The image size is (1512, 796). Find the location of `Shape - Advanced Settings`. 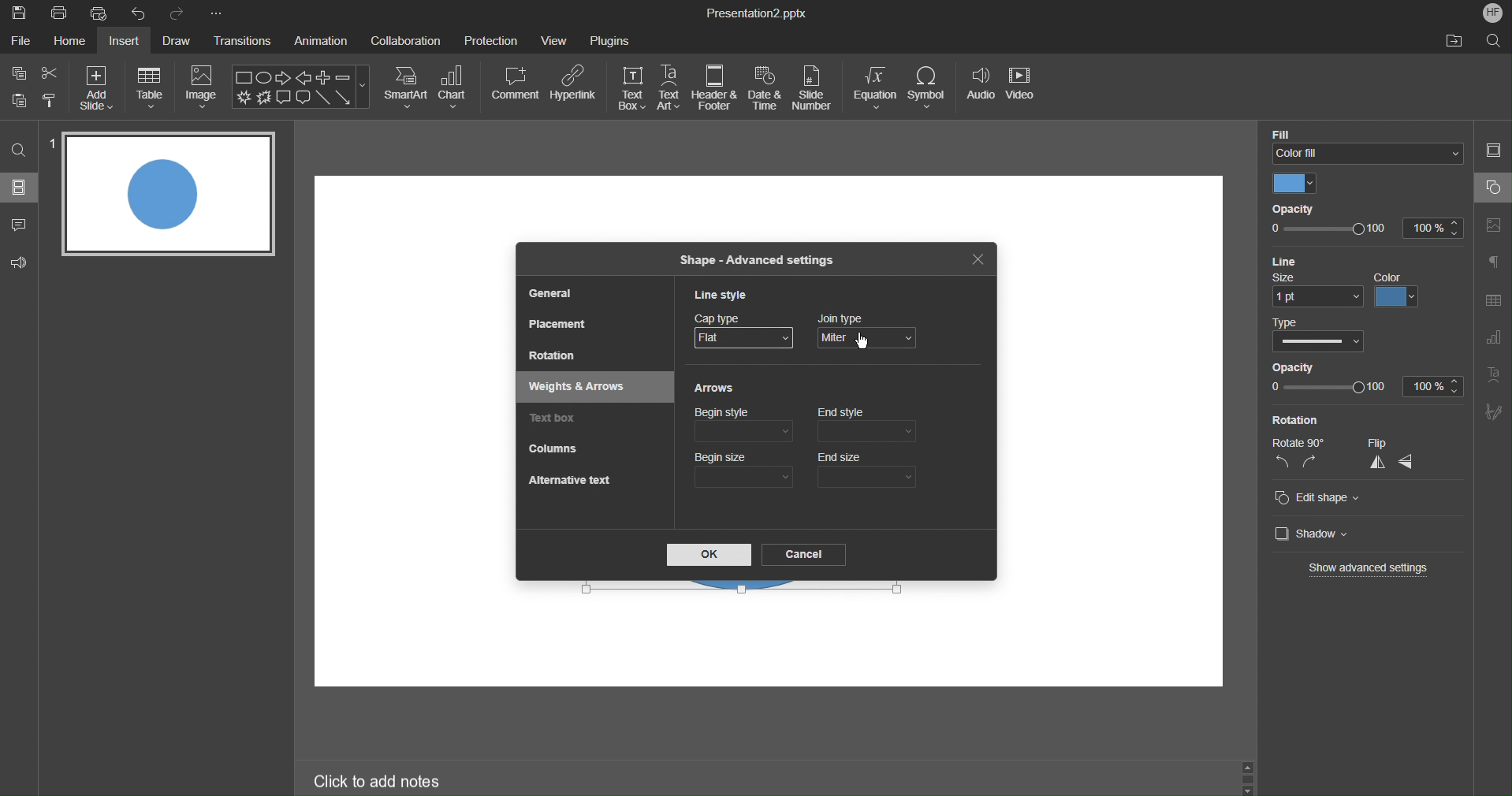

Shape - Advanced Settings is located at coordinates (754, 259).